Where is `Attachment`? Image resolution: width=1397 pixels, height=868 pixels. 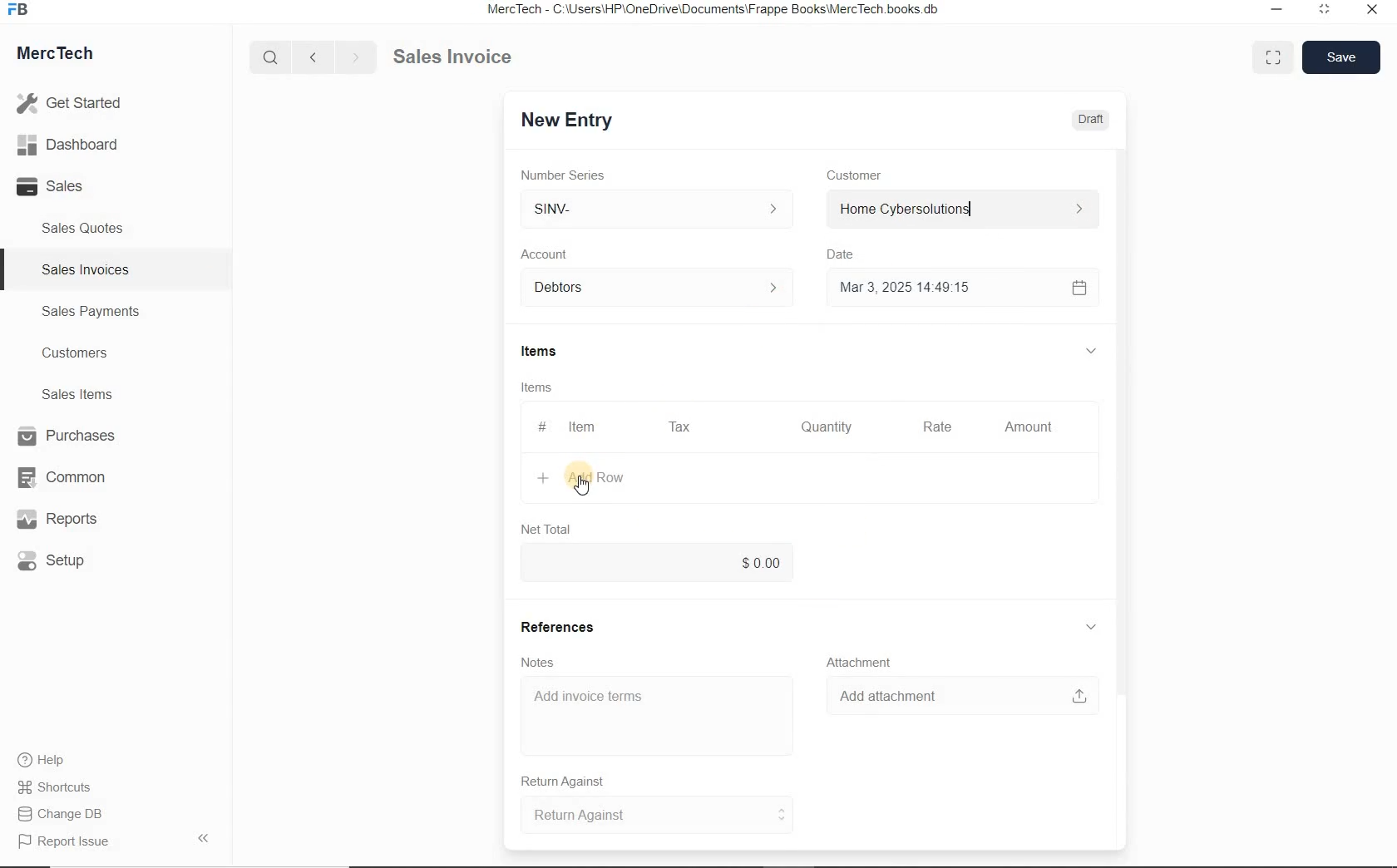 Attachment is located at coordinates (861, 663).